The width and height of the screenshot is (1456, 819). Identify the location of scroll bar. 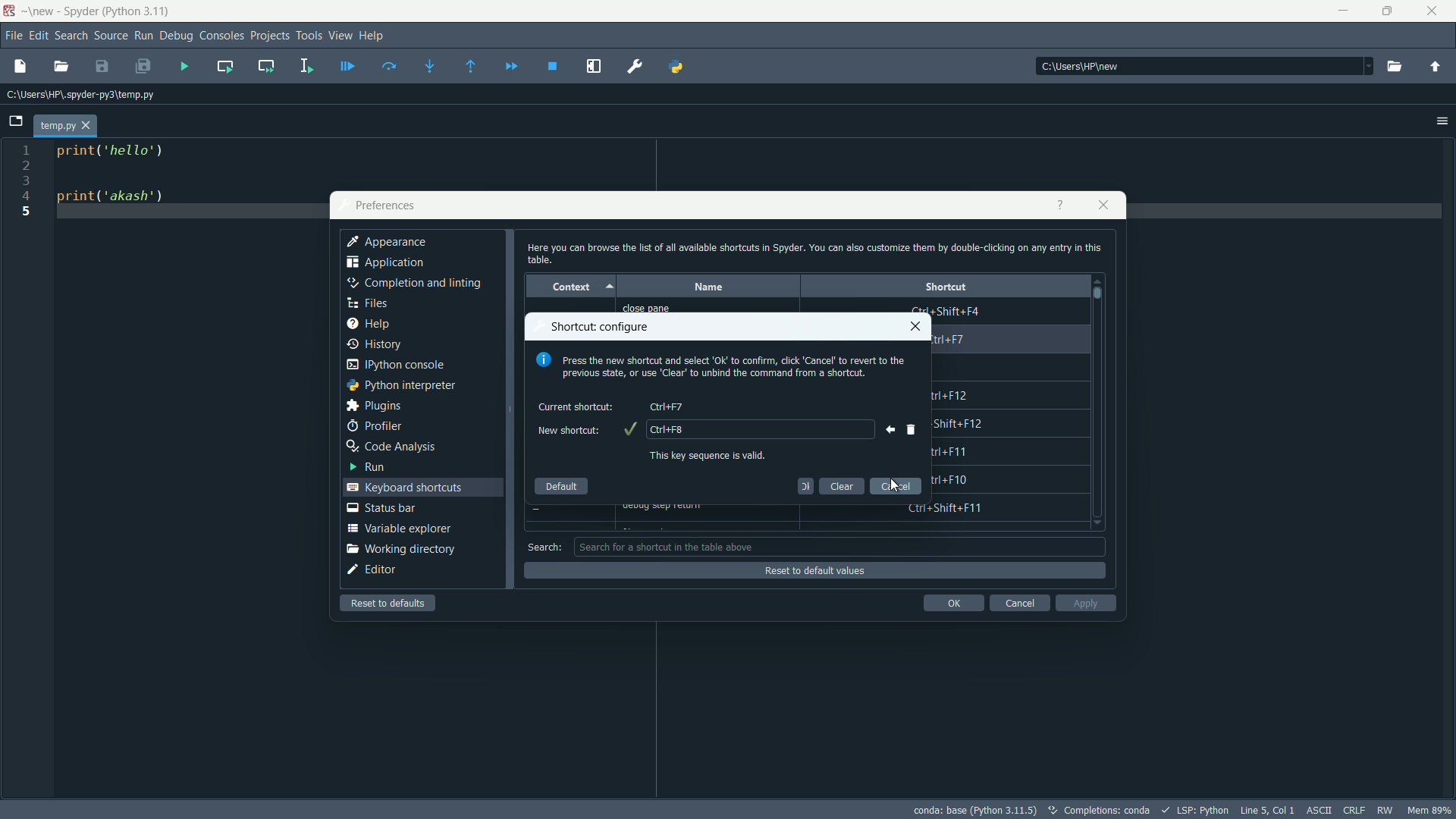
(1099, 293).